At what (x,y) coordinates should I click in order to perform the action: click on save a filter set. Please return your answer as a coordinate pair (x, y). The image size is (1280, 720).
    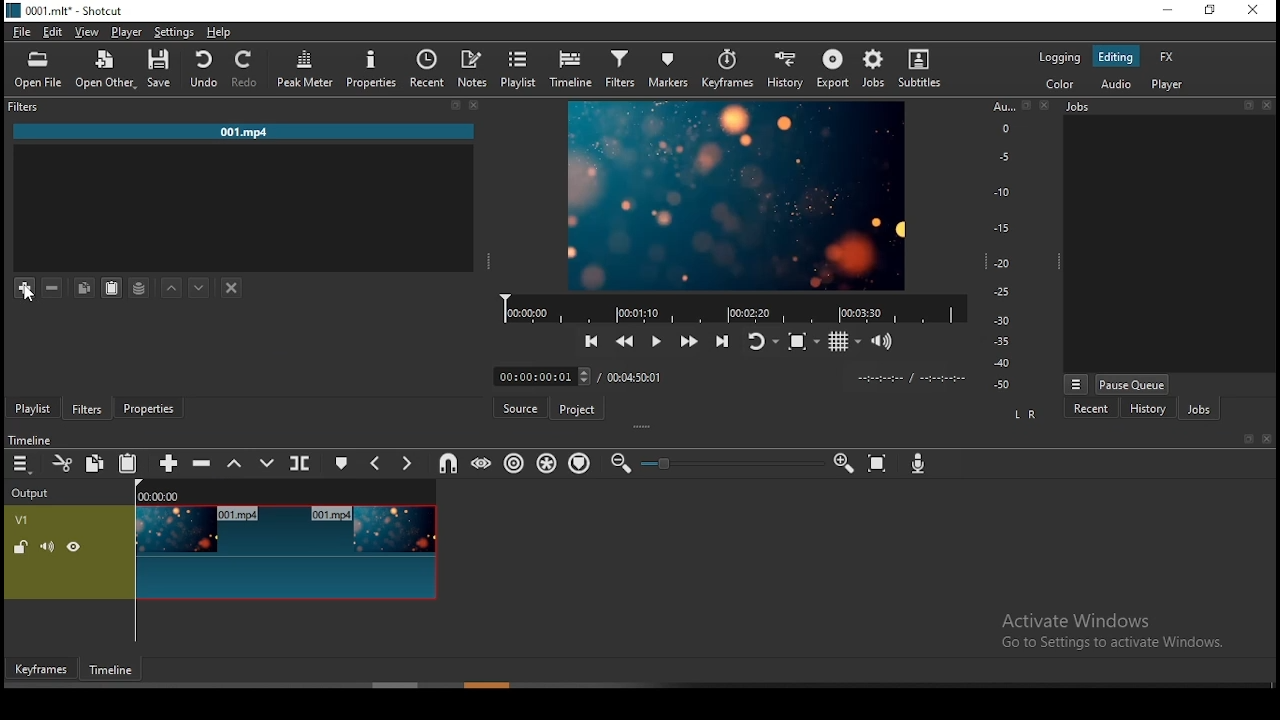
    Looking at the image, I should click on (139, 289).